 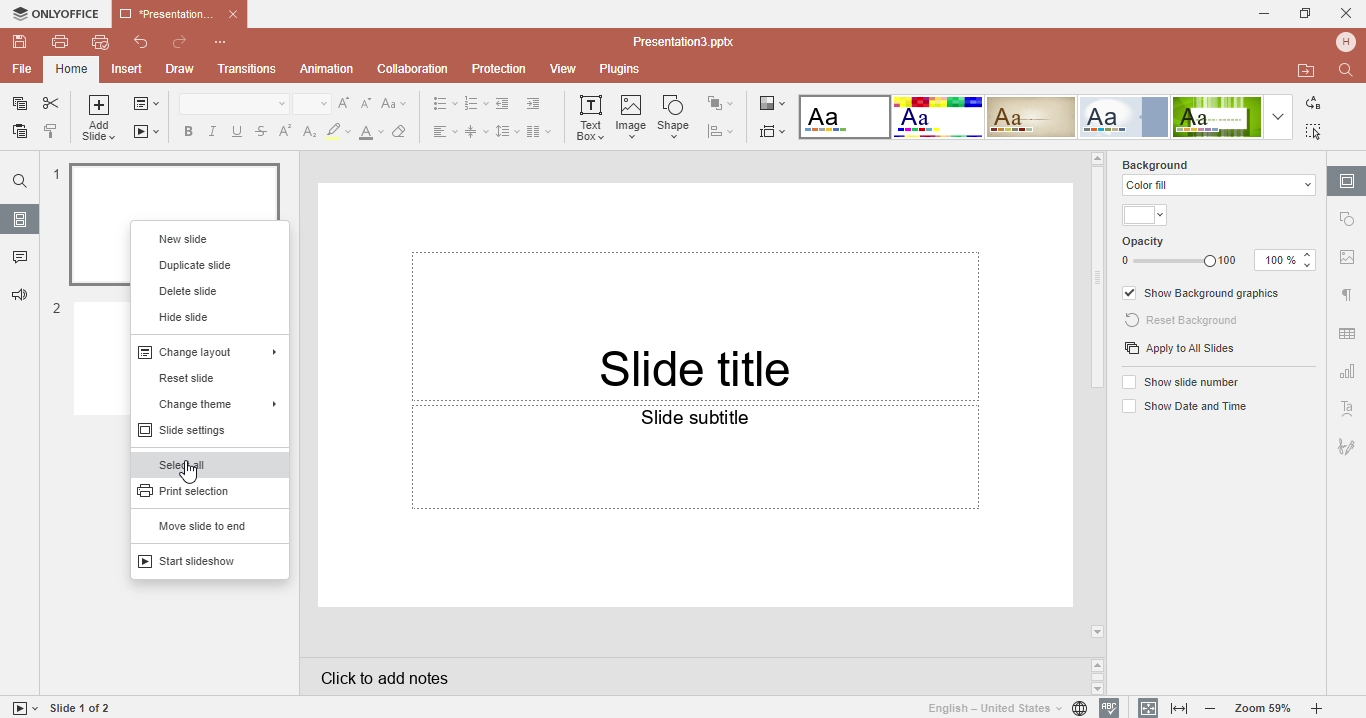 I want to click on Fit to width, so click(x=1181, y=709).